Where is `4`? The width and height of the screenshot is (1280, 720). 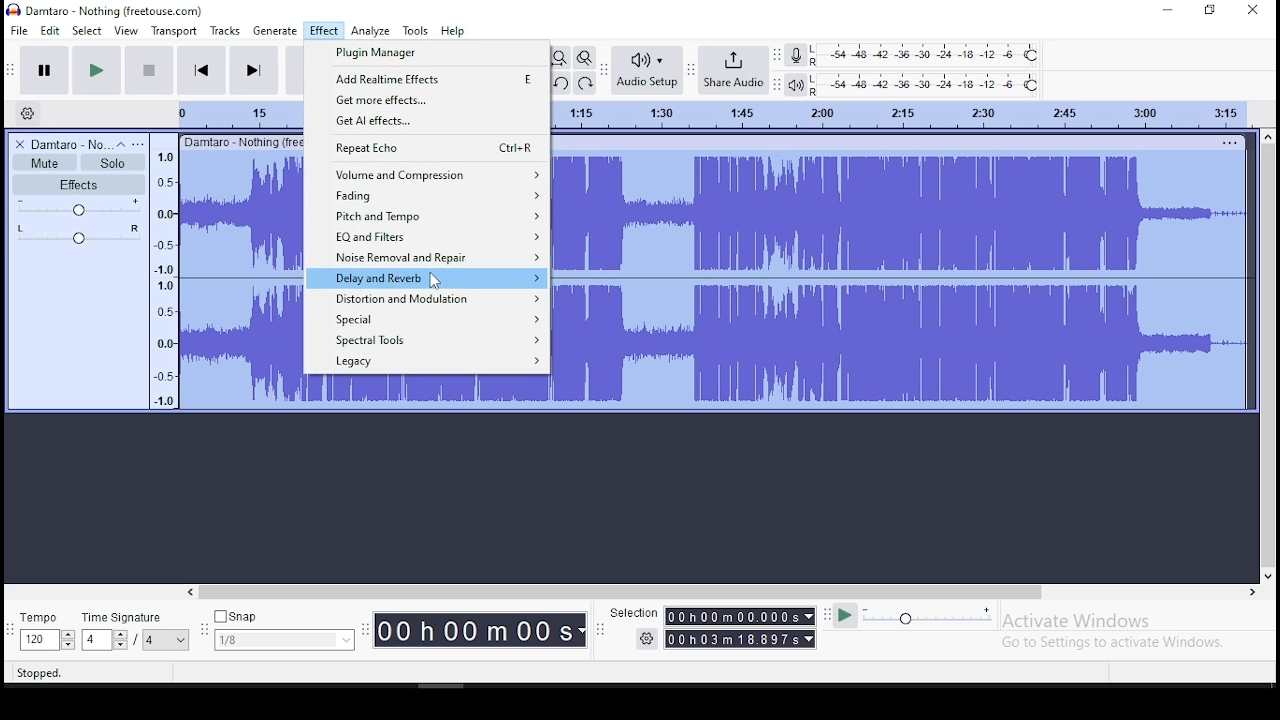 4 is located at coordinates (95, 640).